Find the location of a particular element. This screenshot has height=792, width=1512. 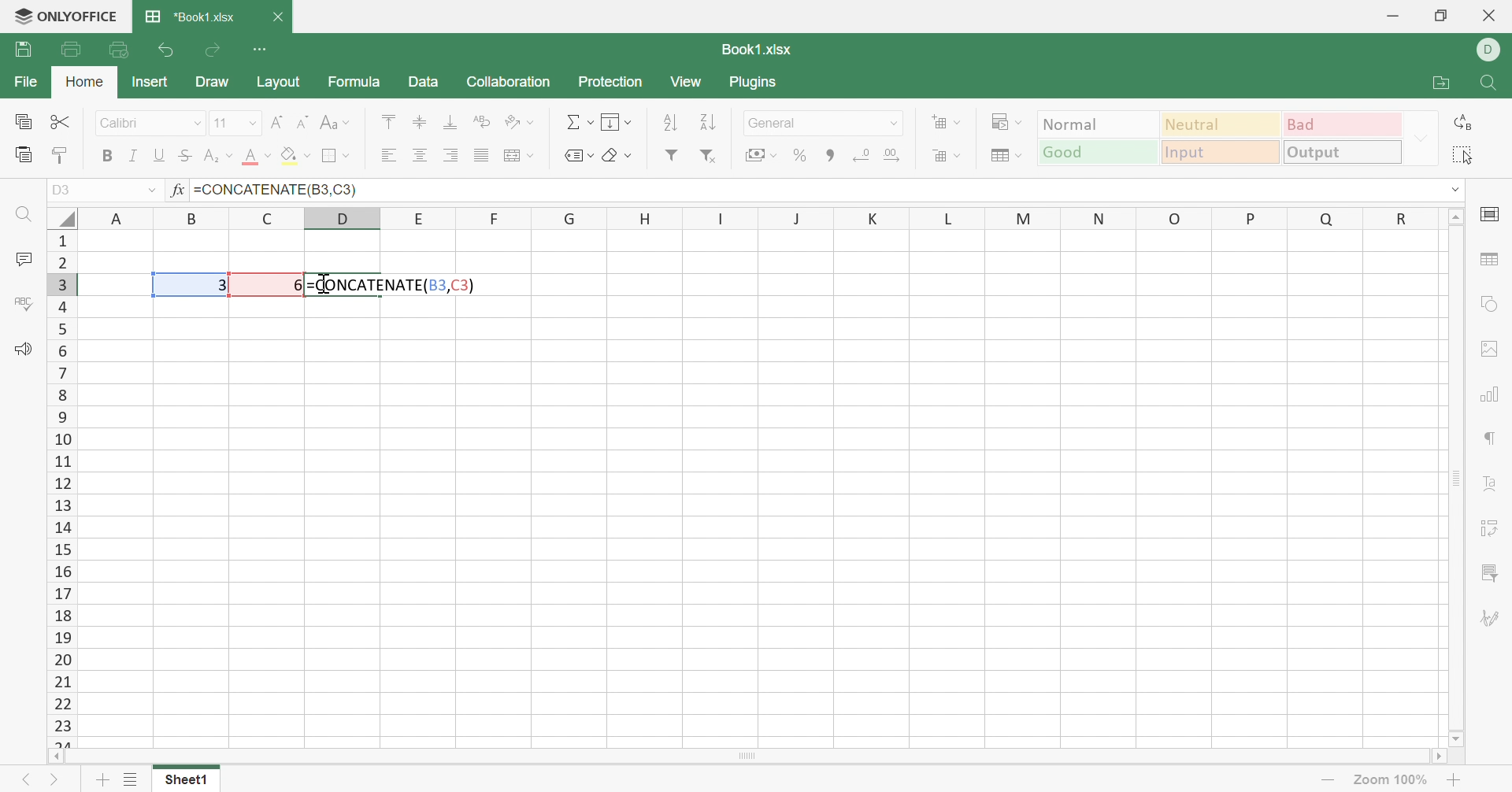

Decrement font size is located at coordinates (306, 121).